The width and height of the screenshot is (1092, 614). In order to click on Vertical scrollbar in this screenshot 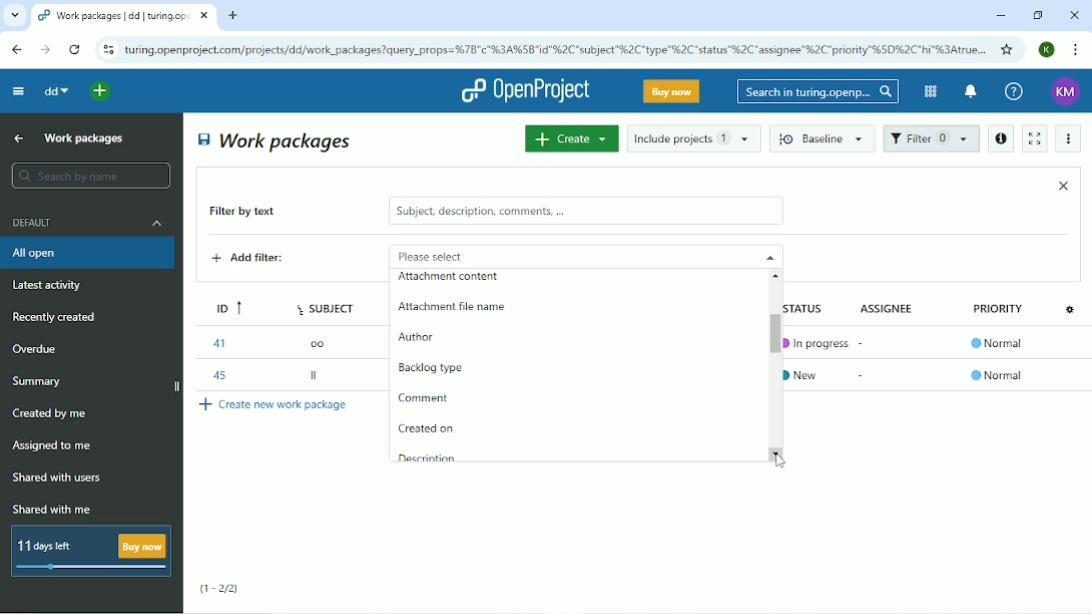, I will do `click(769, 331)`.